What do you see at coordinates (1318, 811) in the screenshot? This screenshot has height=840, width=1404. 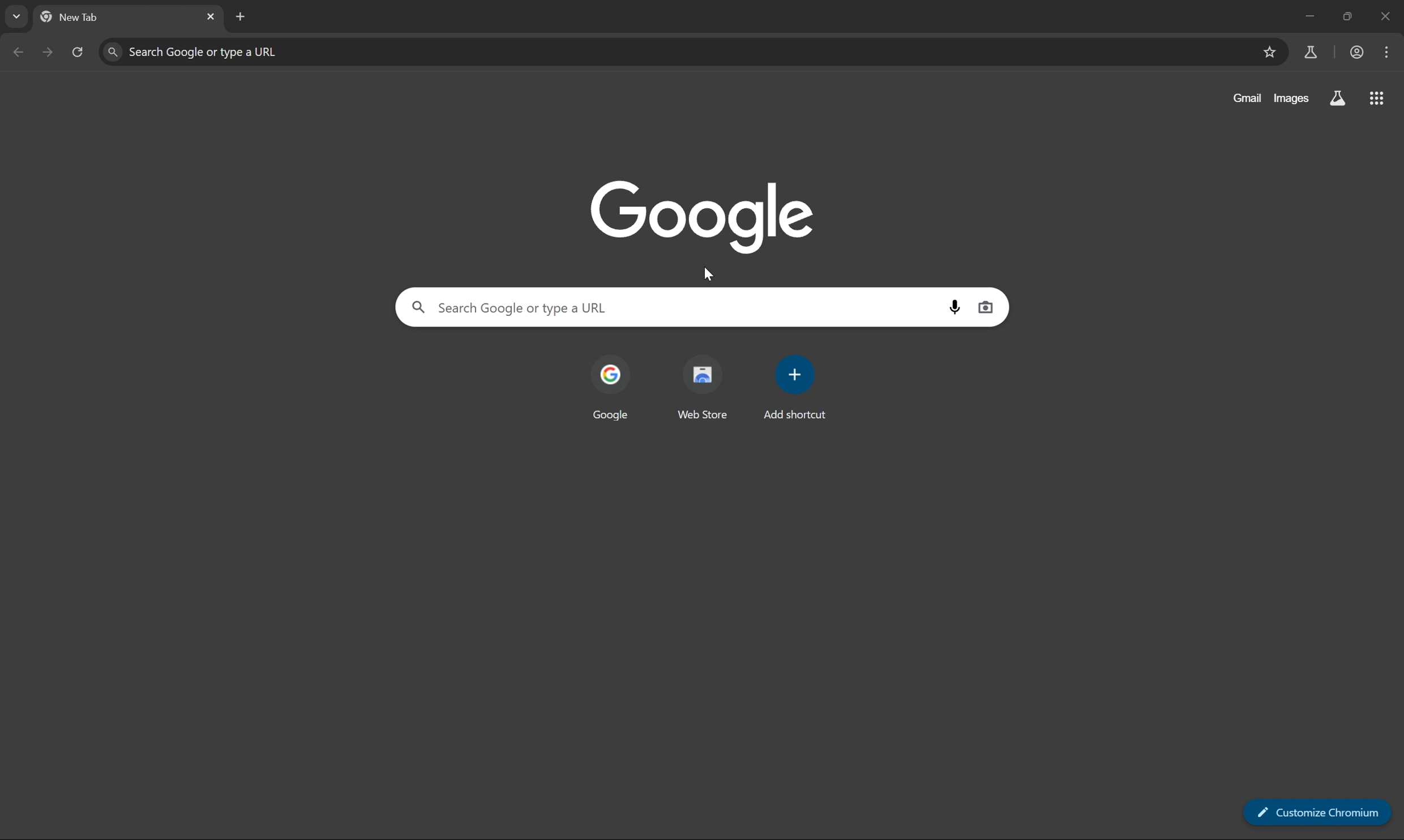 I see `customize chromium` at bounding box center [1318, 811].